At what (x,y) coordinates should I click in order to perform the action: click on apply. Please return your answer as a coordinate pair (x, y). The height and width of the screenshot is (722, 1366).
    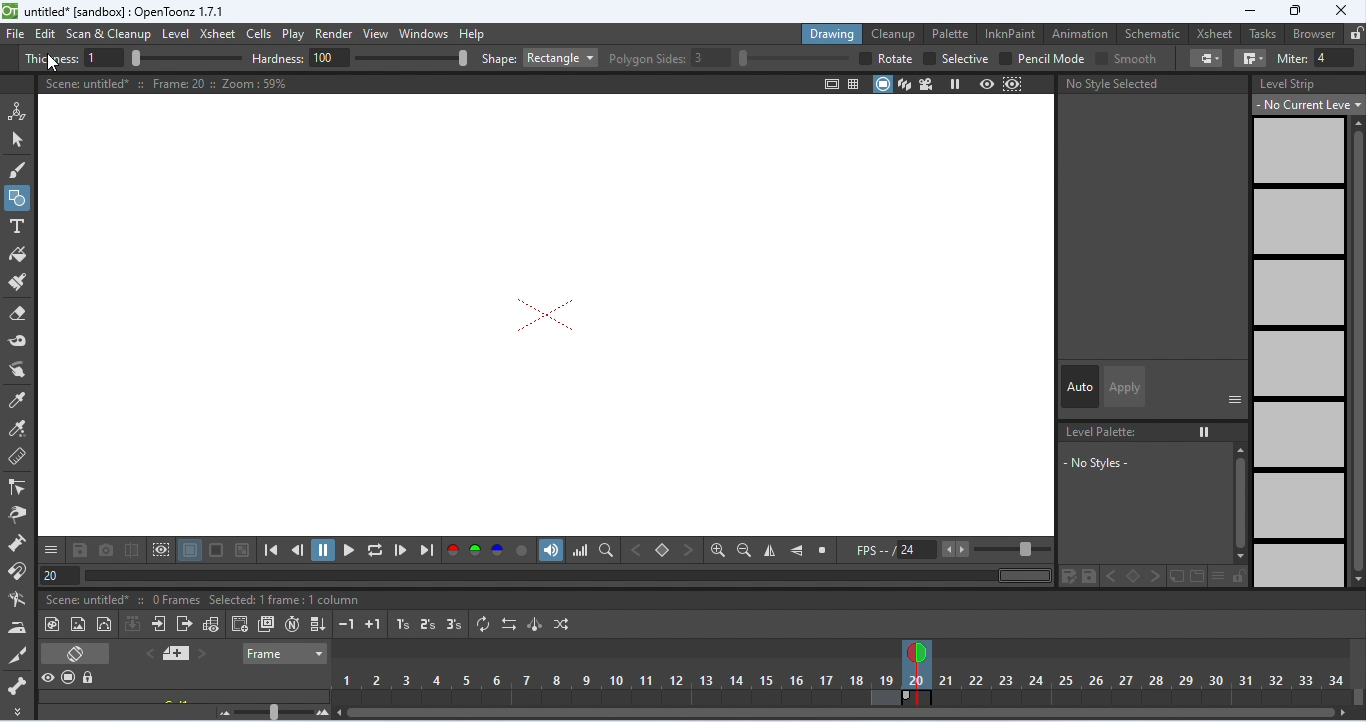
    Looking at the image, I should click on (1130, 387).